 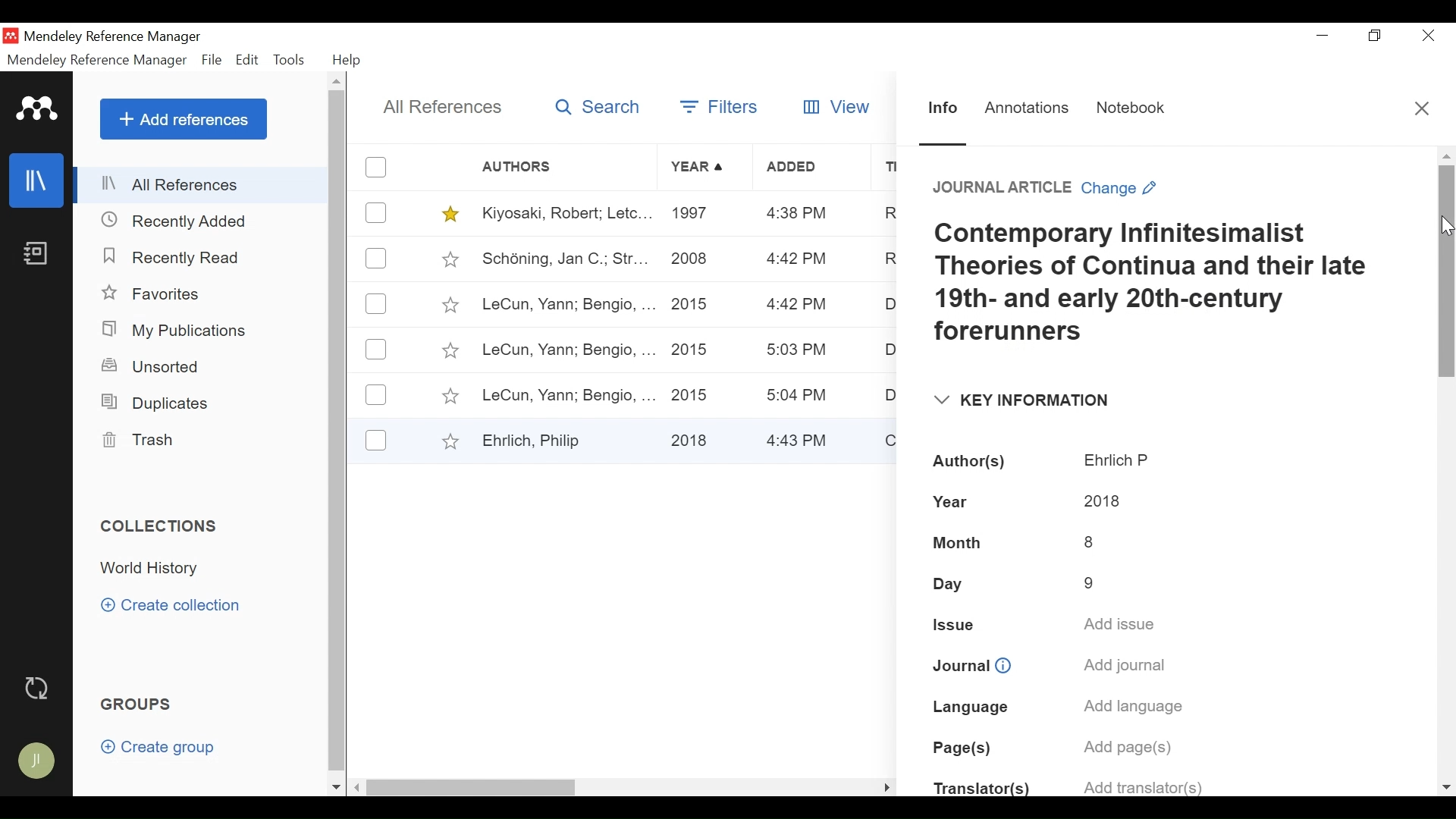 I want to click on horizontal scroll bar, so click(x=475, y=786).